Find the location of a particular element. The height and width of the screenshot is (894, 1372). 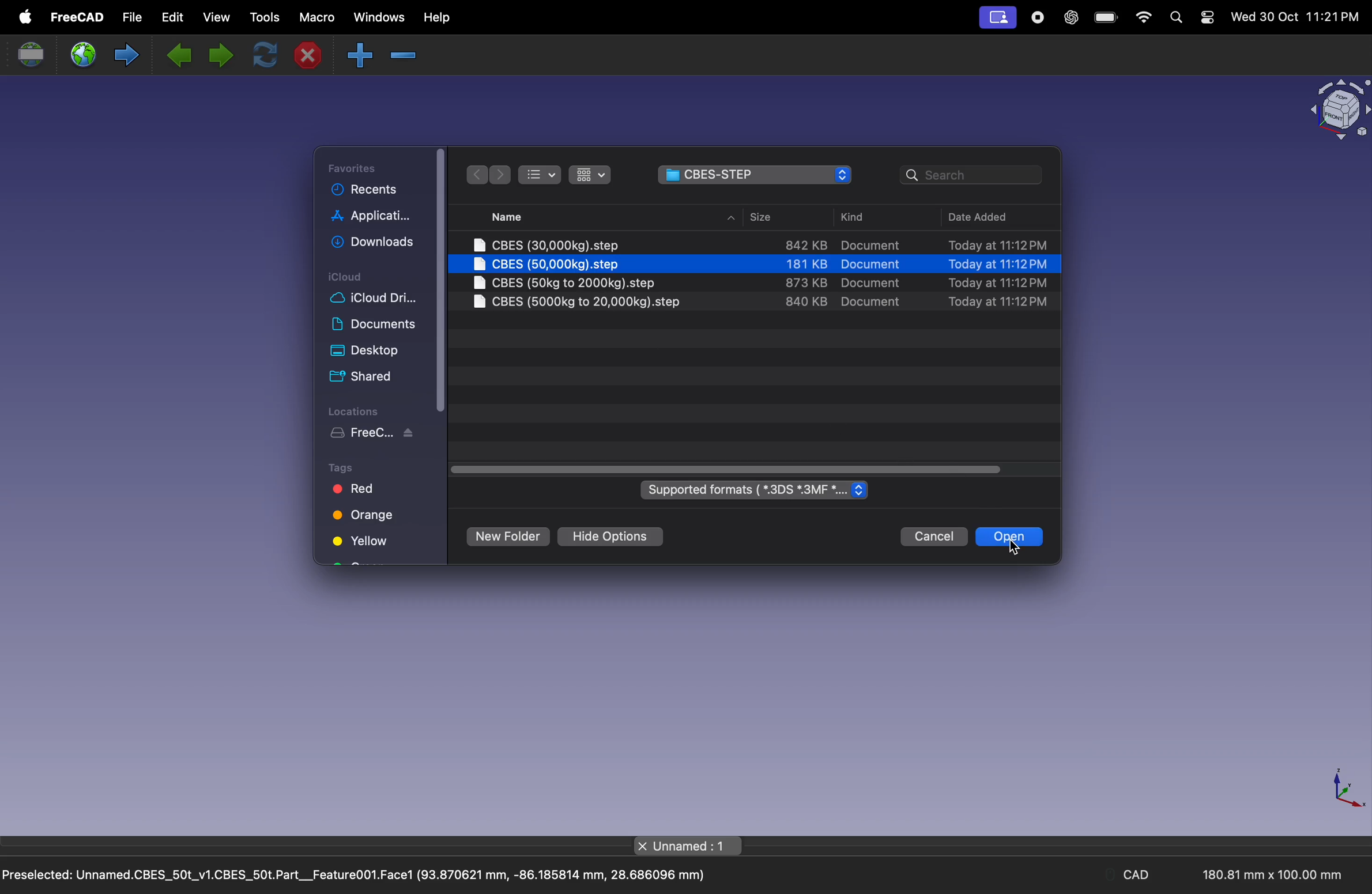

favourties is located at coordinates (363, 167).